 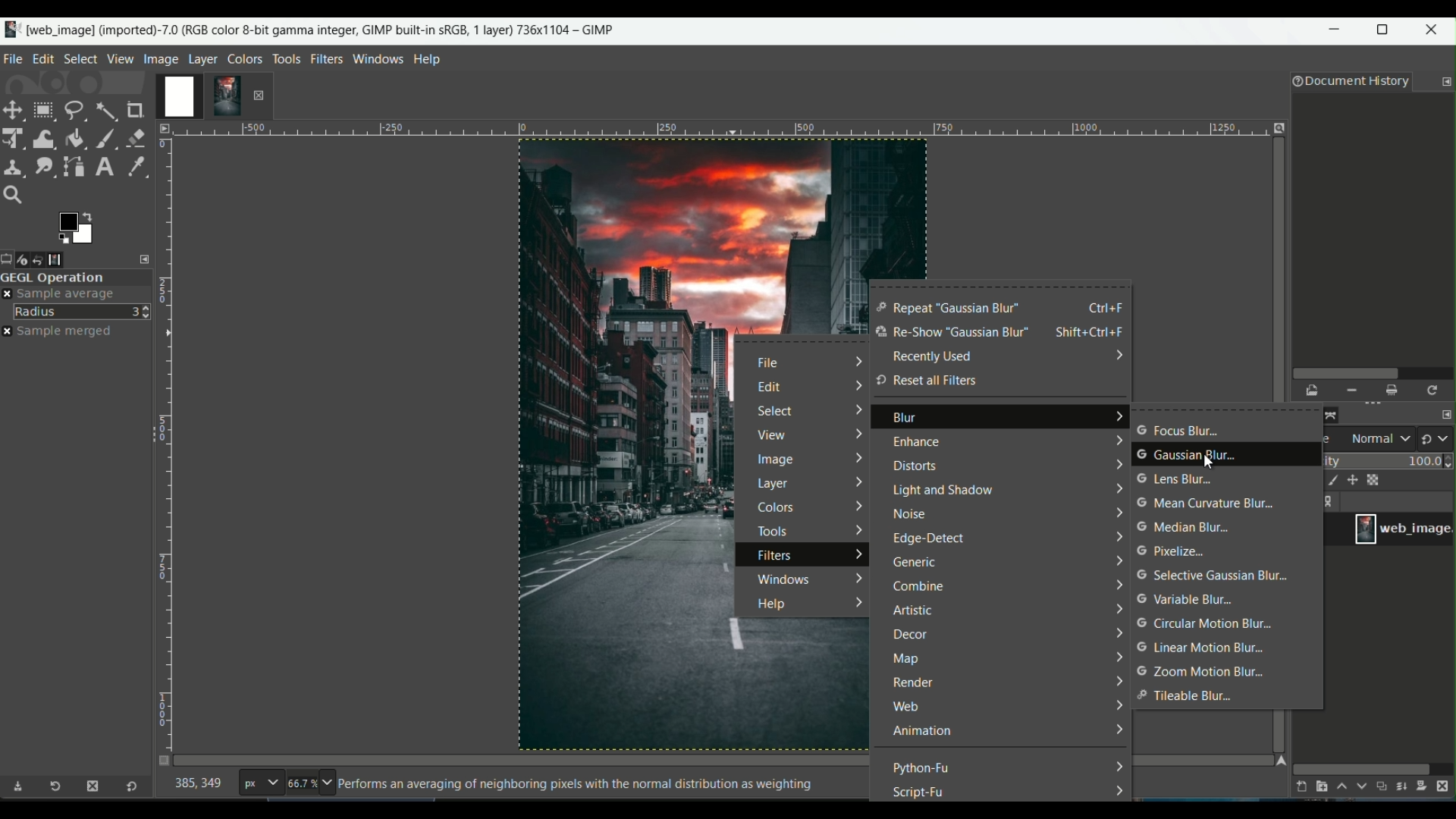 I want to click on light and shadow, so click(x=943, y=491).